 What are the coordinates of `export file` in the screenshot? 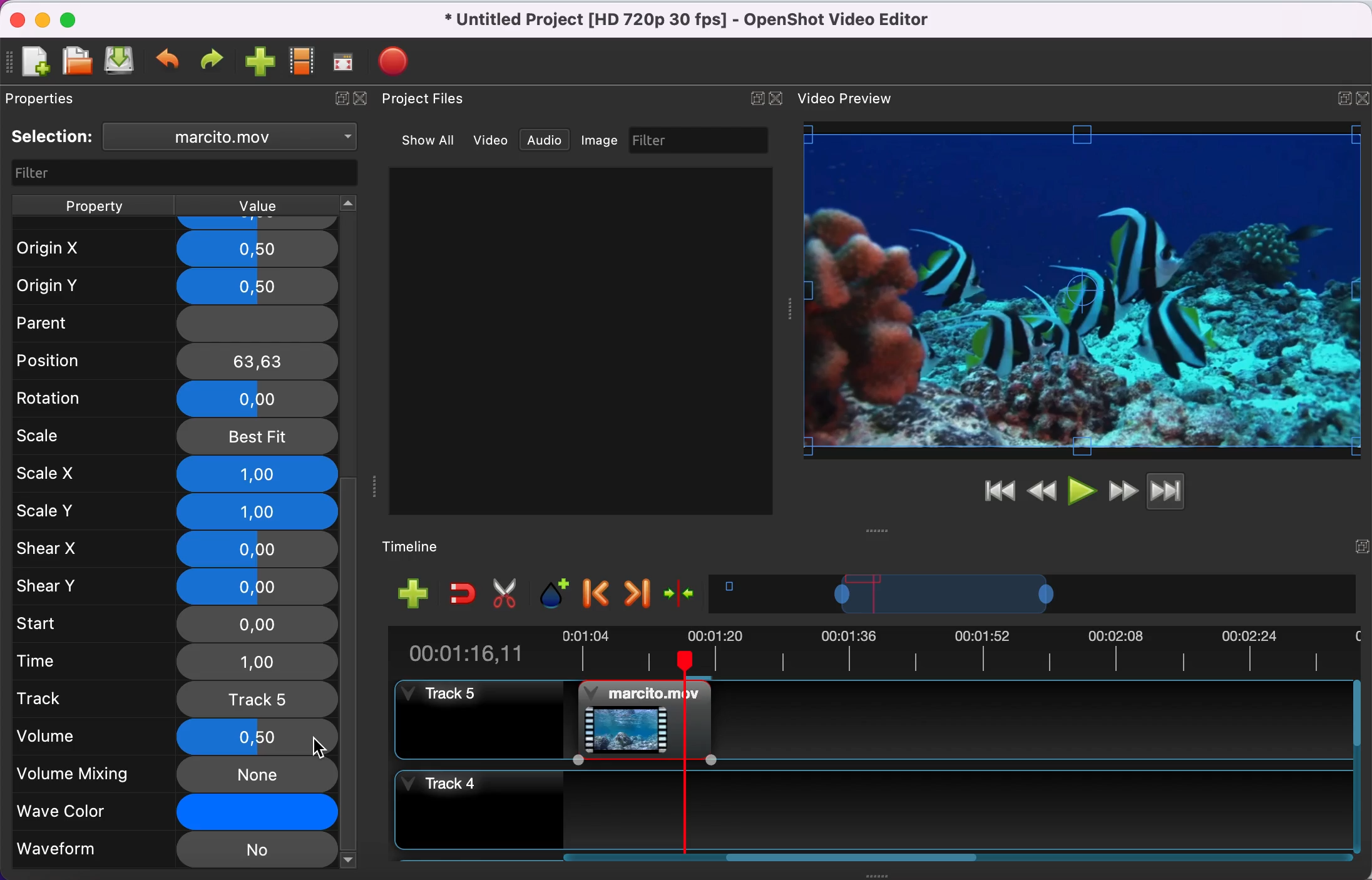 It's located at (397, 58).